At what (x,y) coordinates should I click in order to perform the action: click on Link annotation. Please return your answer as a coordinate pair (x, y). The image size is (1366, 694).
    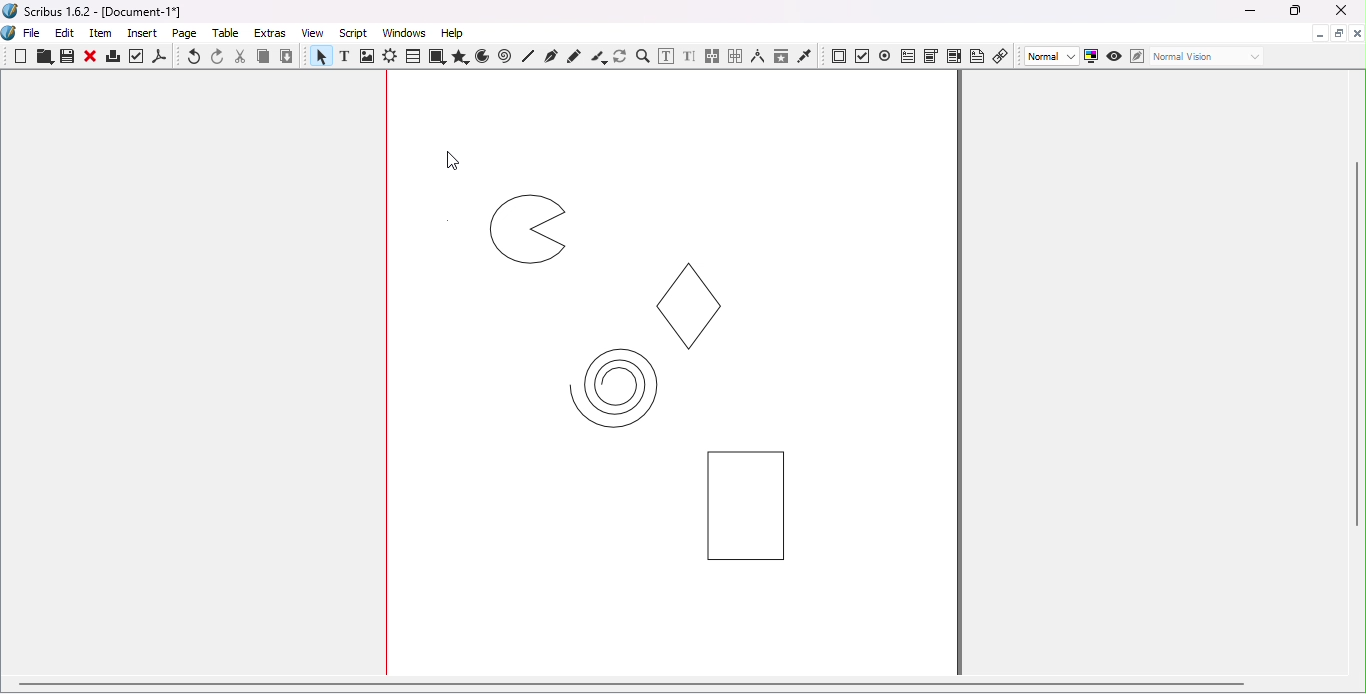
    Looking at the image, I should click on (1002, 55).